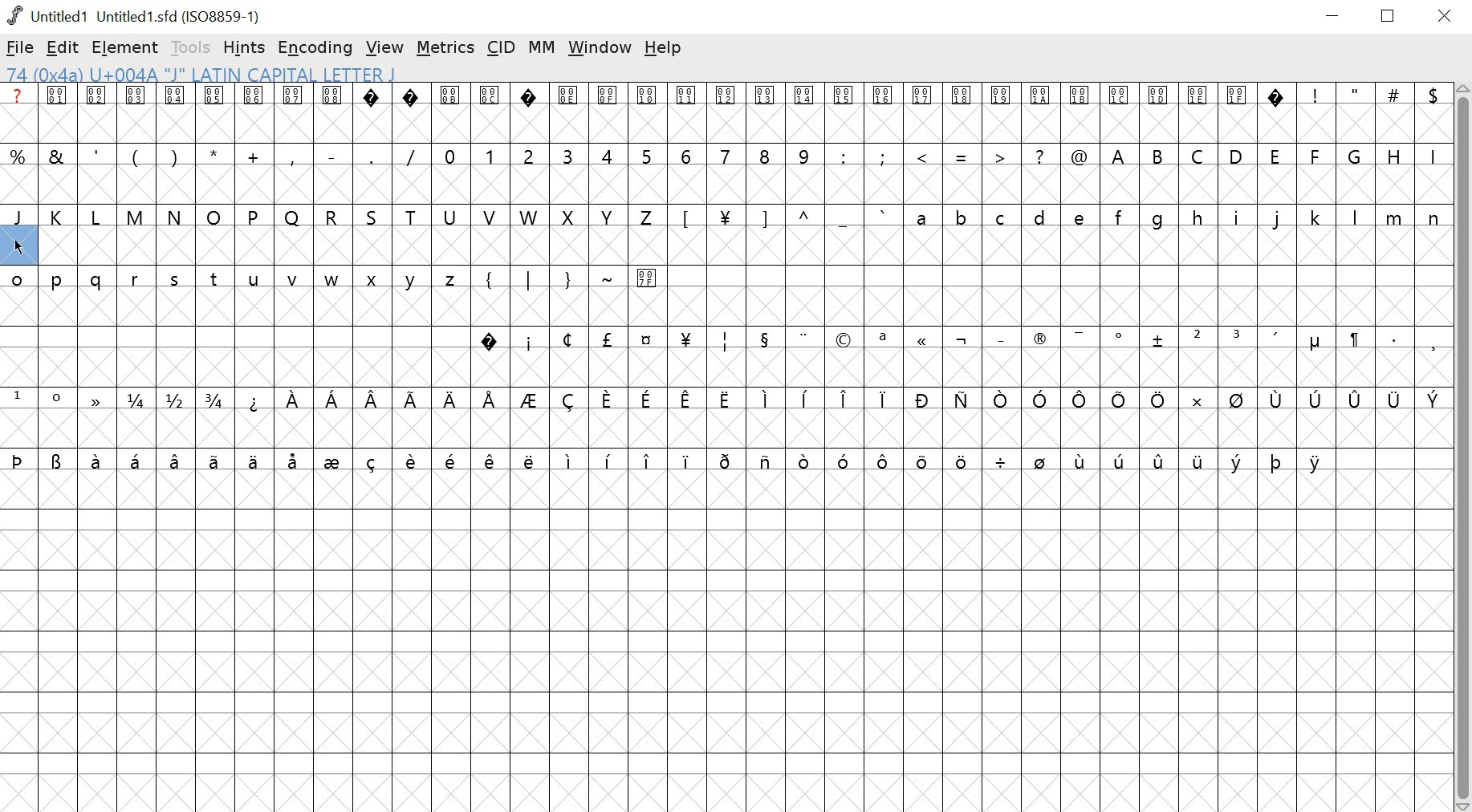 This screenshot has width=1472, height=812. I want to click on Cursor, so click(18, 246).